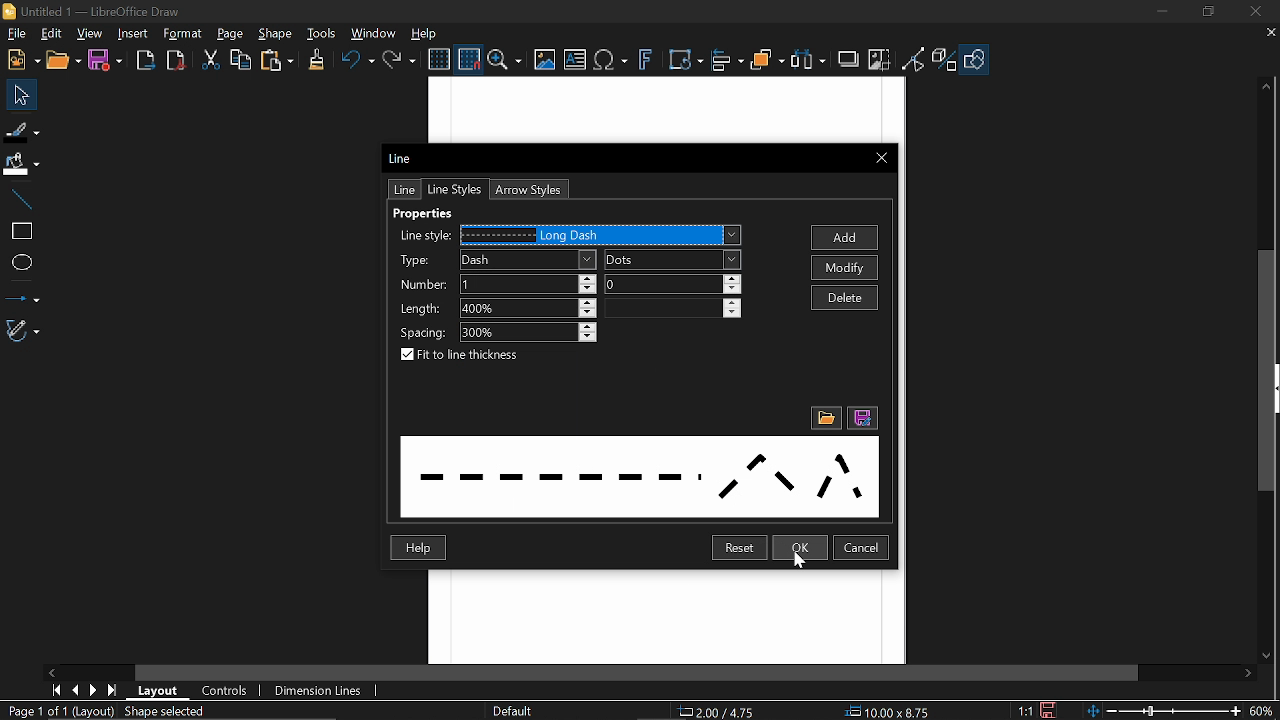 The height and width of the screenshot is (720, 1280). Describe the element at coordinates (16, 33) in the screenshot. I see `File` at that location.